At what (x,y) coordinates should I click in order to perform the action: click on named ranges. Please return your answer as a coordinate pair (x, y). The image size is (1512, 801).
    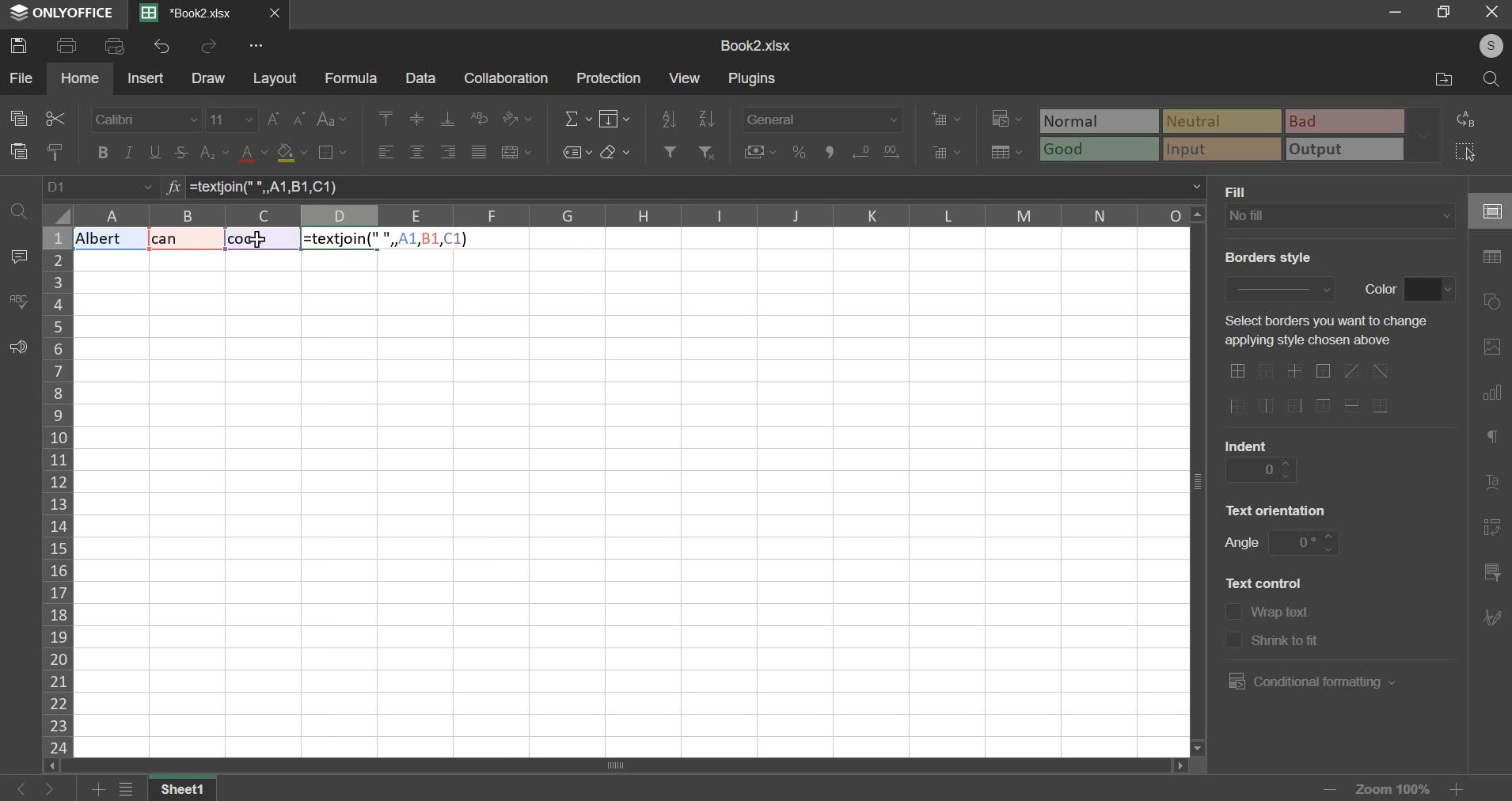
    Looking at the image, I should click on (576, 152).